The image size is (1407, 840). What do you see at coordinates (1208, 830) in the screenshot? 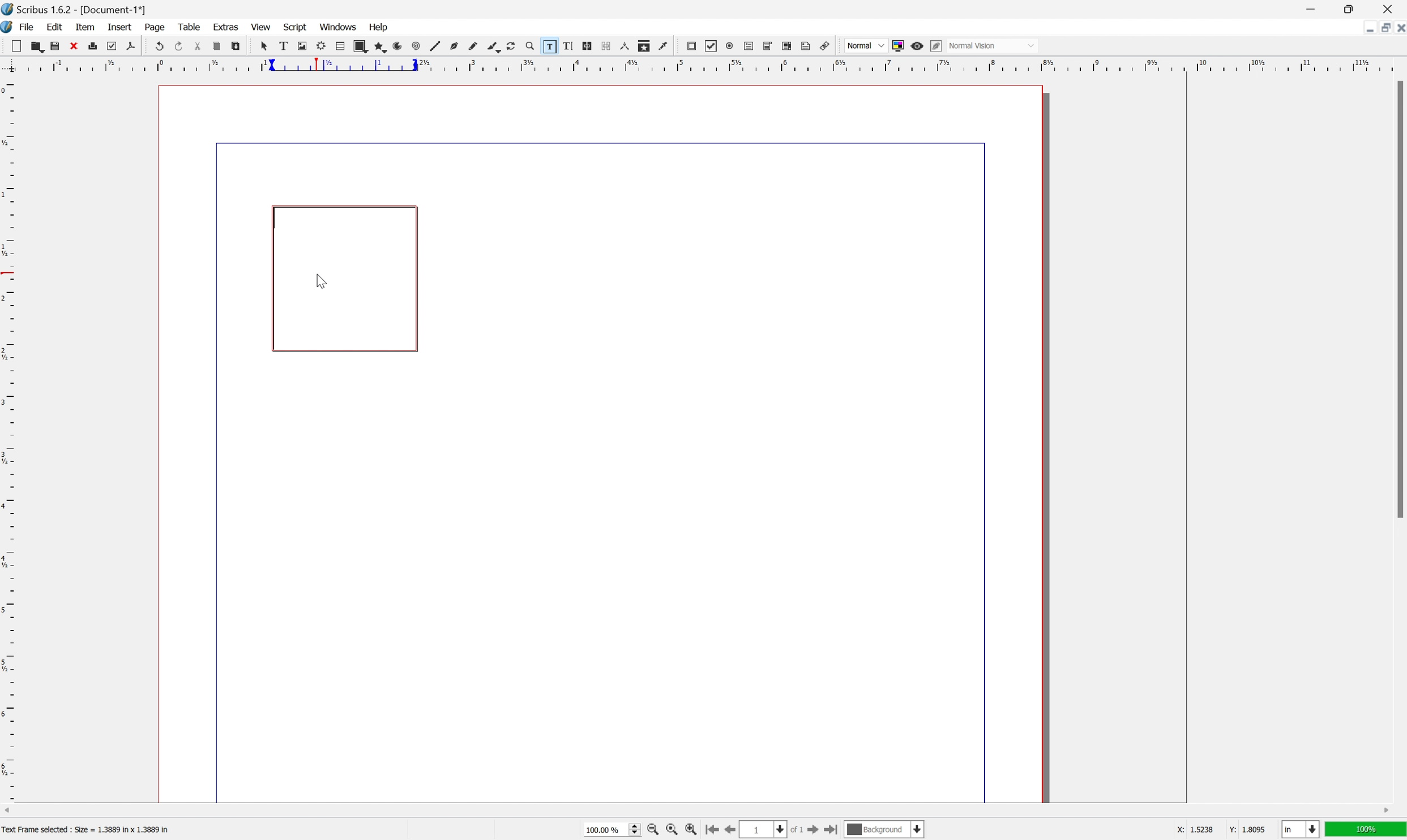
I see `coordinates` at bounding box center [1208, 830].